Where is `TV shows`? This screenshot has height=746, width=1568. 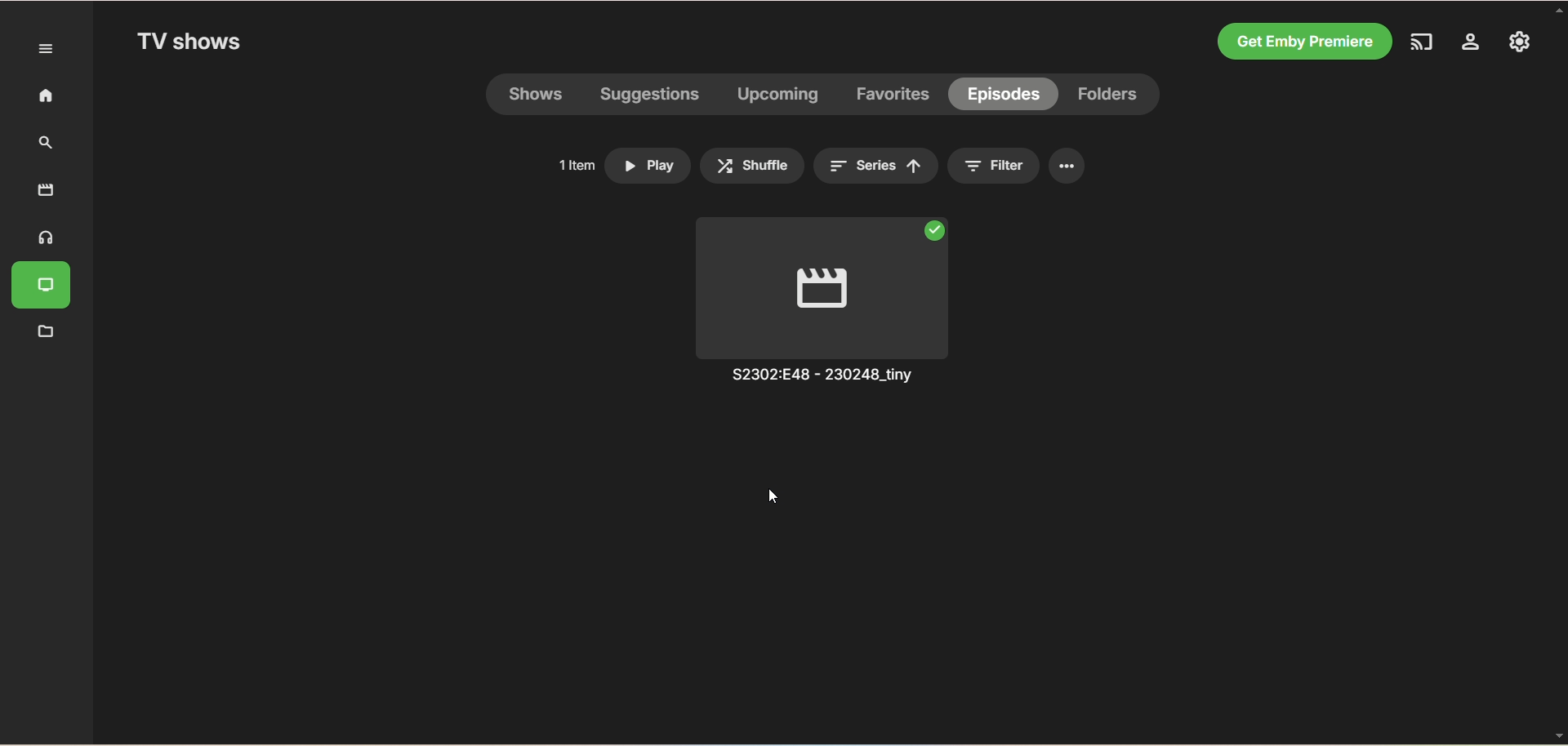 TV shows is located at coordinates (192, 43).